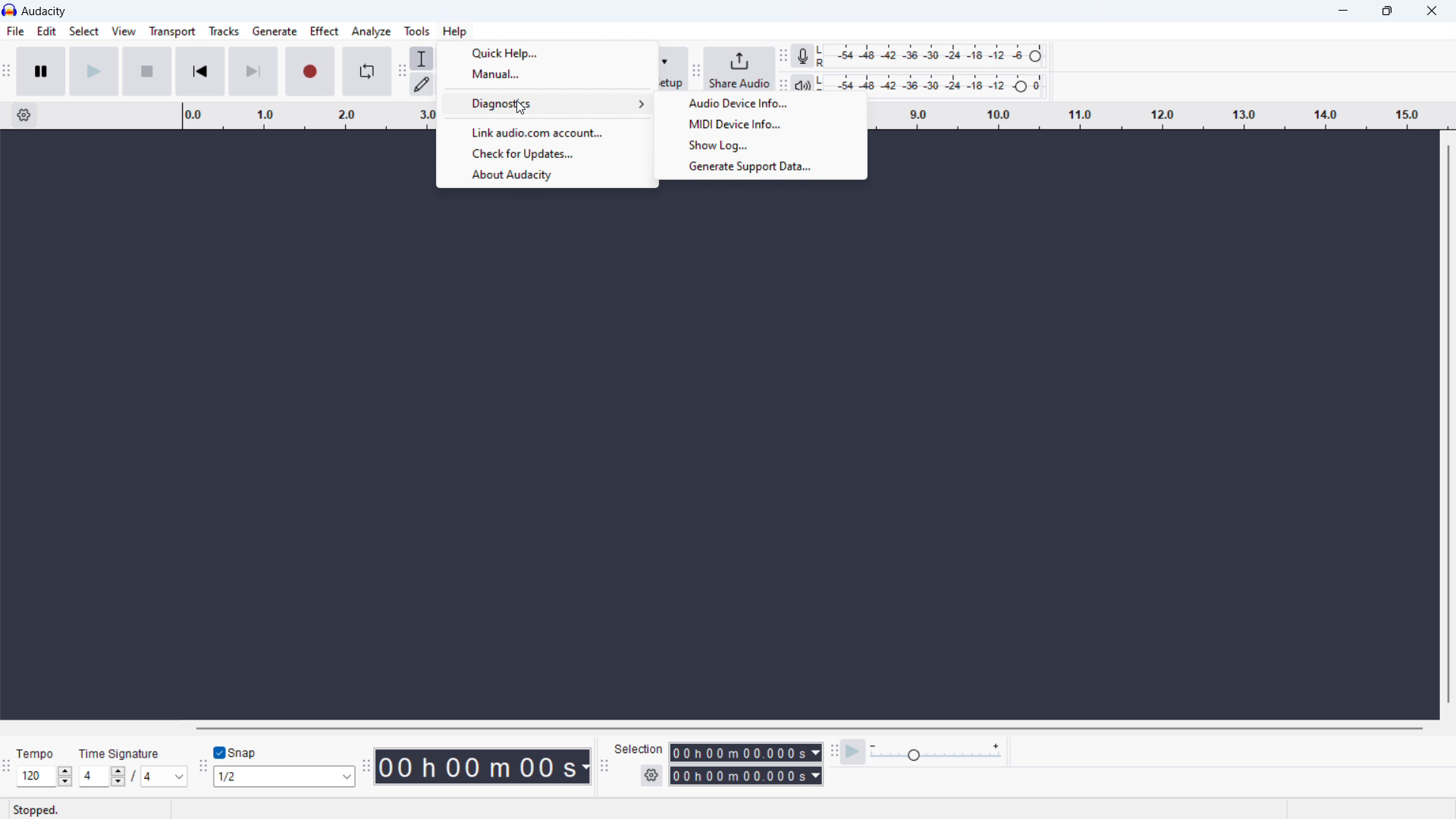  I want to click on selection tool, so click(422, 58).